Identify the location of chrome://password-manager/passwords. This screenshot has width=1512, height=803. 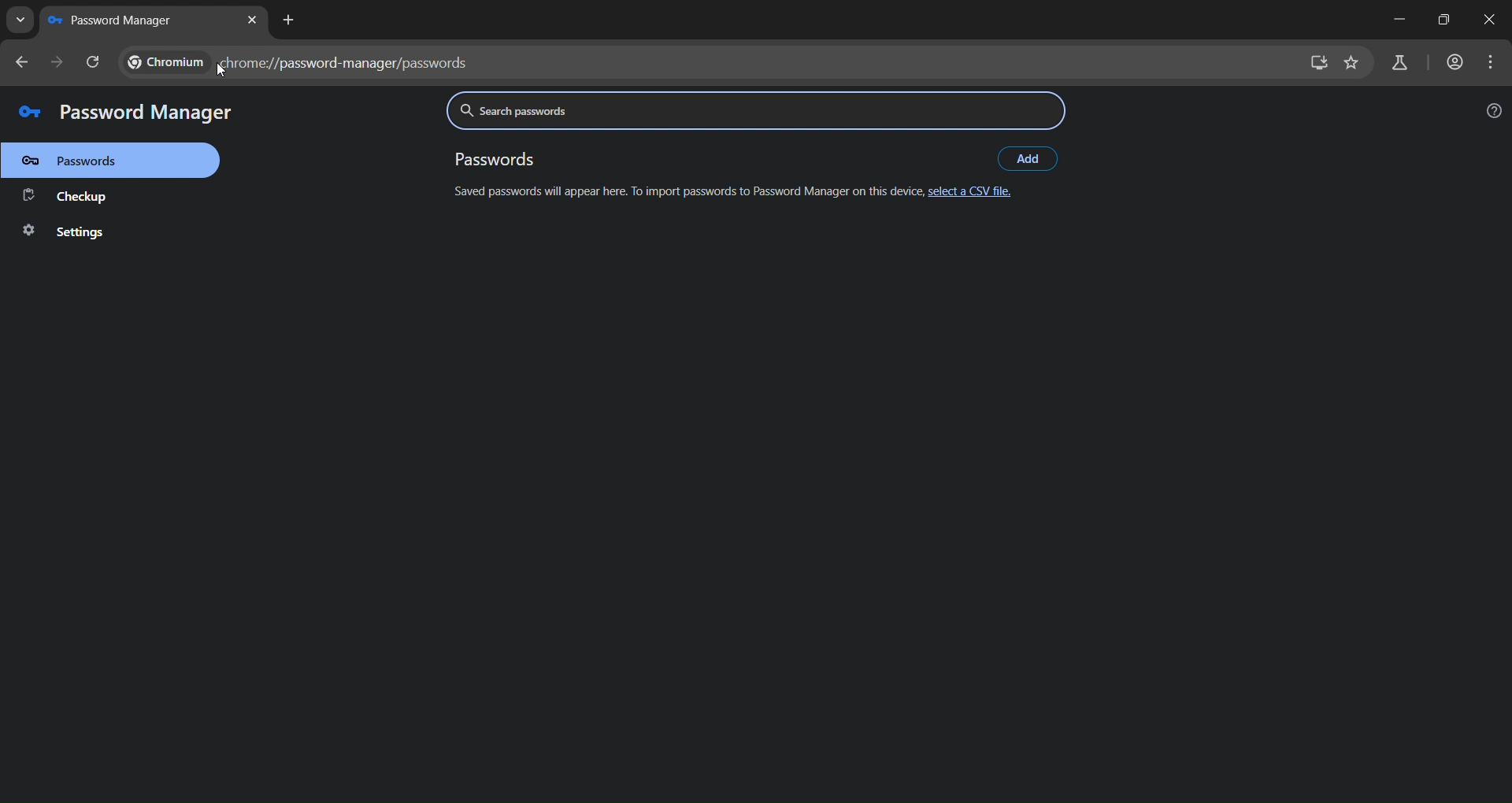
(296, 65).